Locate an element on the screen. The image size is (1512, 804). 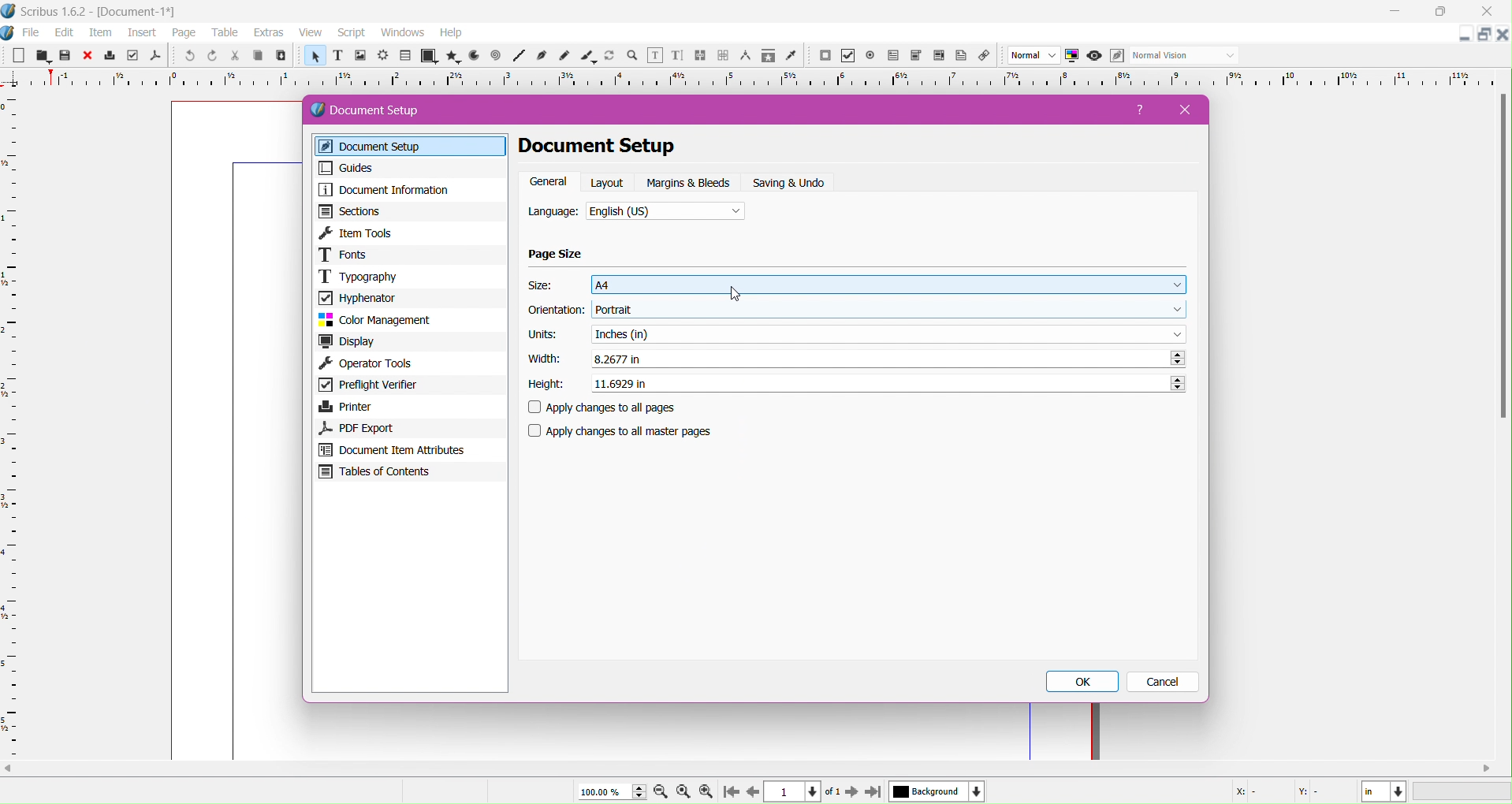
Setting and Undo is located at coordinates (795, 183).